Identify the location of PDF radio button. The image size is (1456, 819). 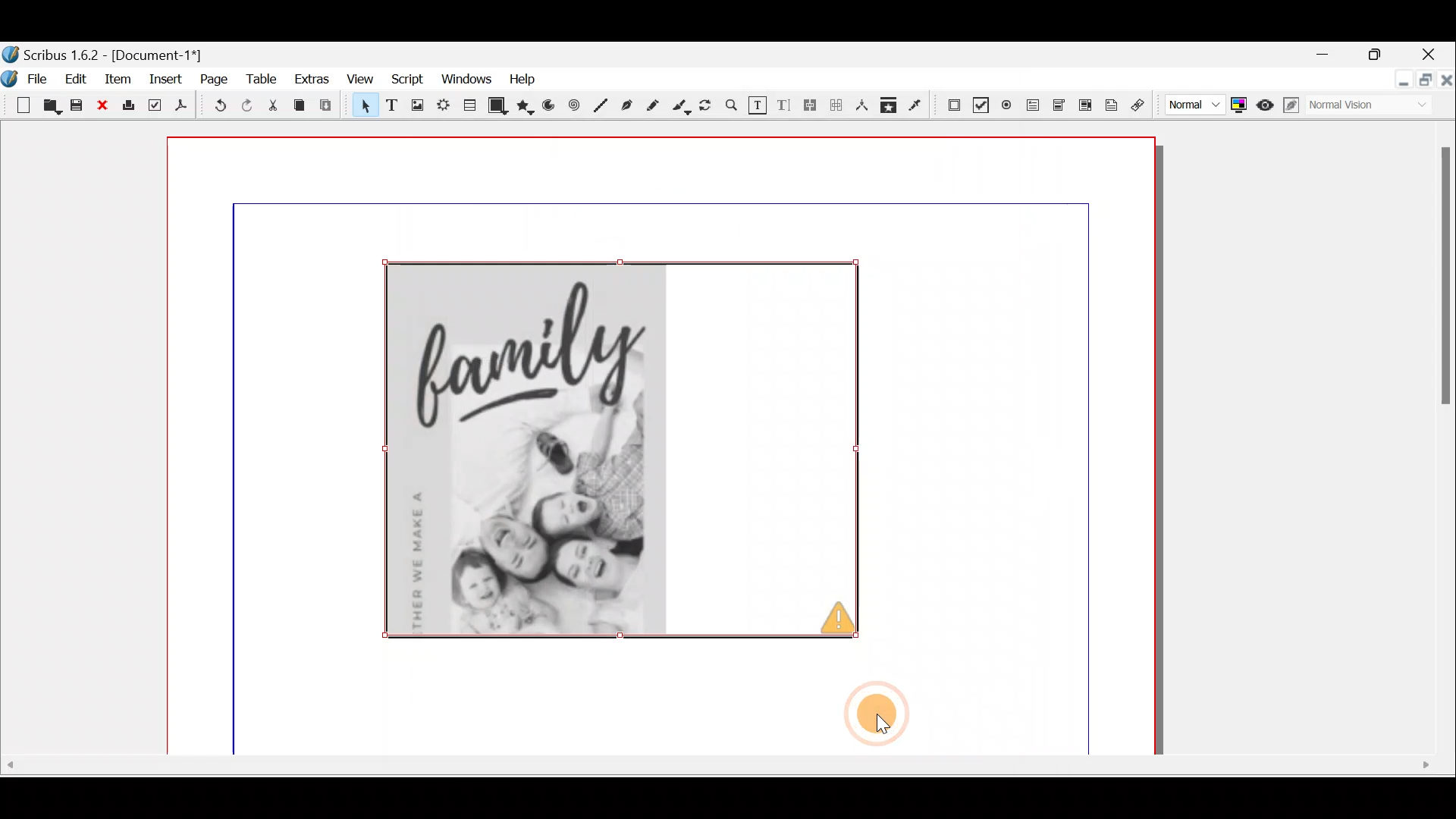
(1008, 103).